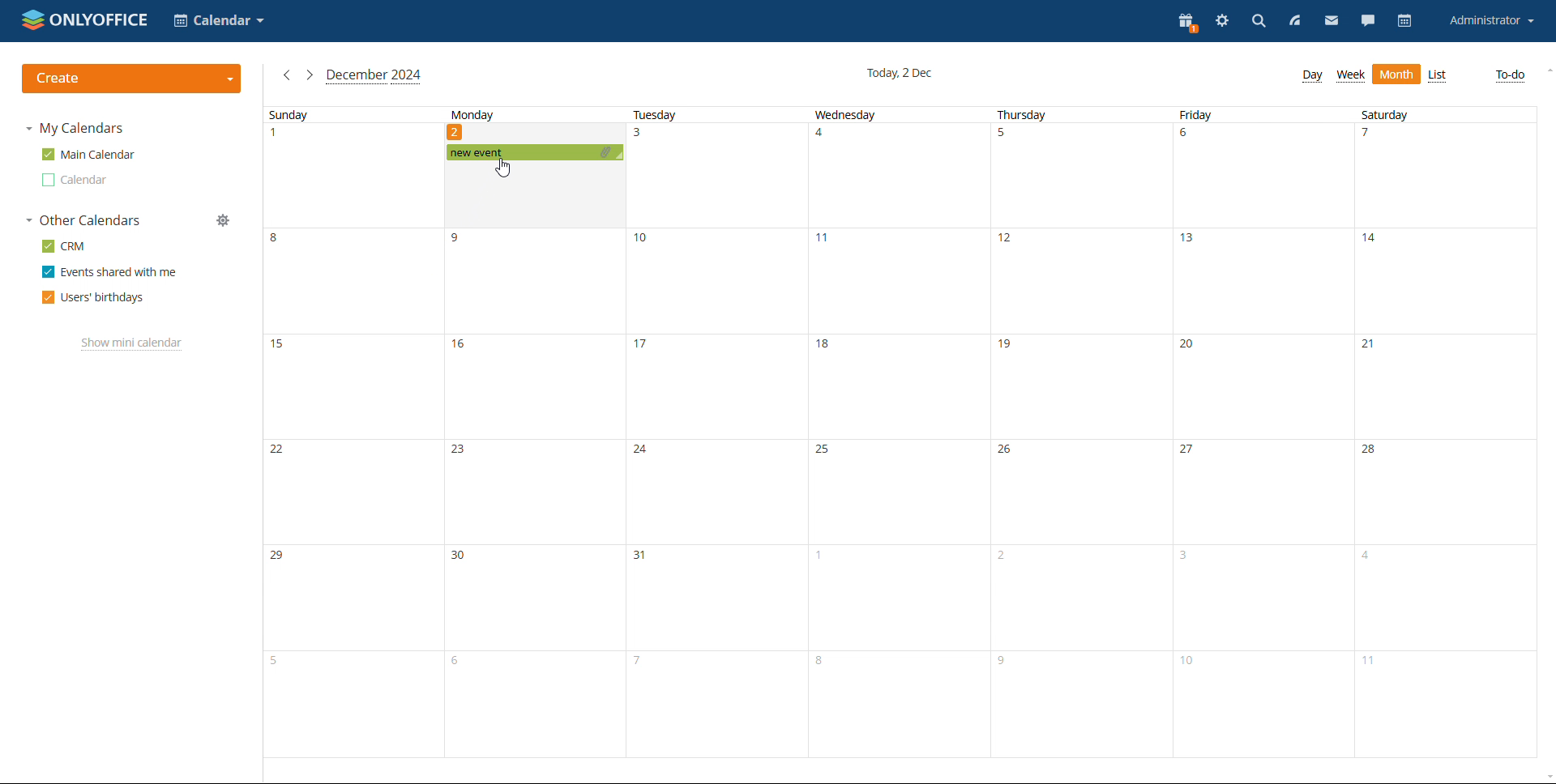 Image resolution: width=1556 pixels, height=784 pixels. Describe the element at coordinates (276, 660) in the screenshot. I see `5` at that location.